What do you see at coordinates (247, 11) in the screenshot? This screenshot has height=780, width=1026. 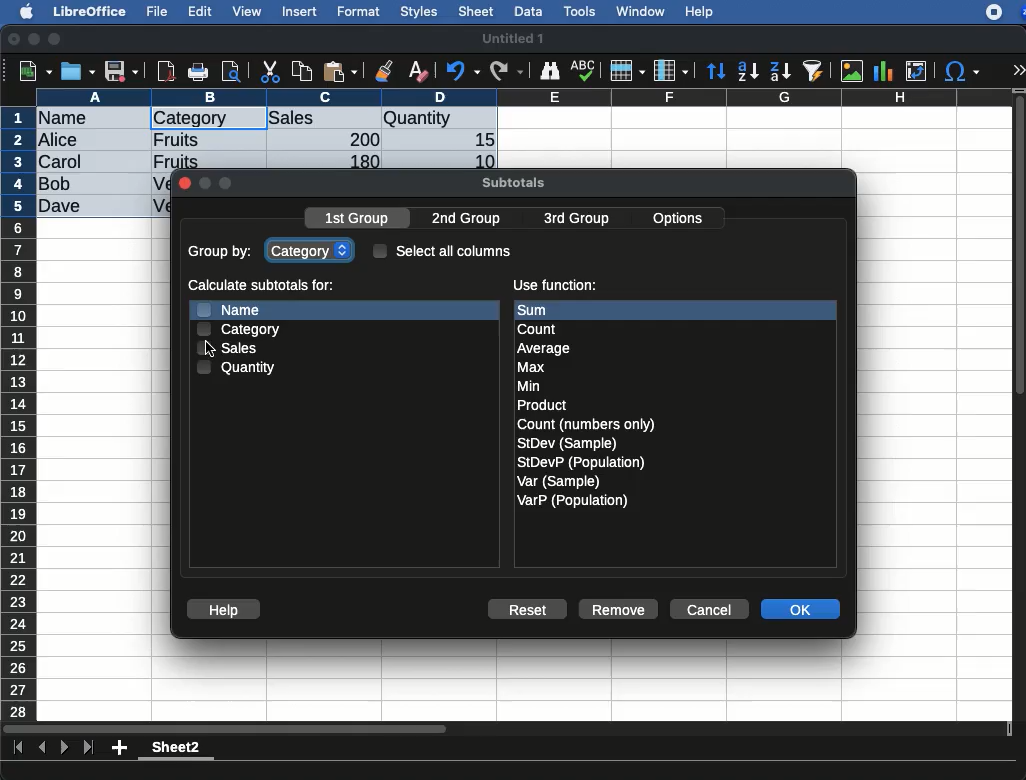 I see `view` at bounding box center [247, 11].